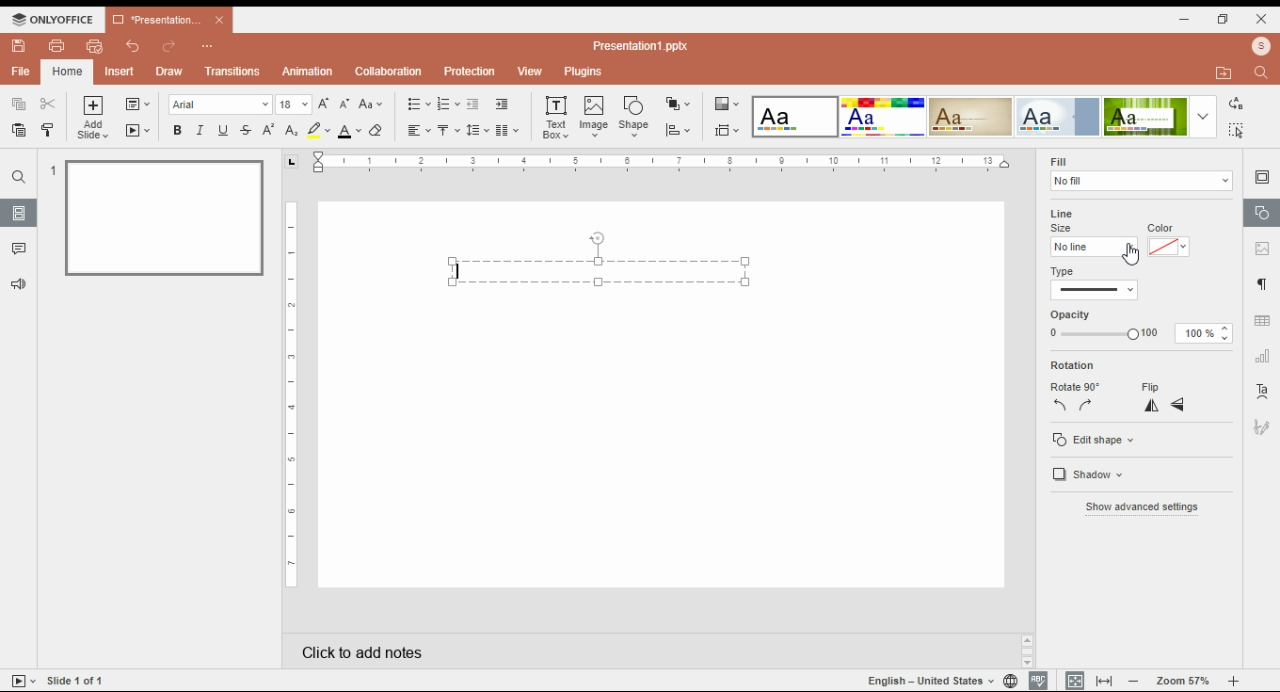 The width and height of the screenshot is (1280, 692). What do you see at coordinates (417, 131) in the screenshot?
I see `horizontal alignment` at bounding box center [417, 131].